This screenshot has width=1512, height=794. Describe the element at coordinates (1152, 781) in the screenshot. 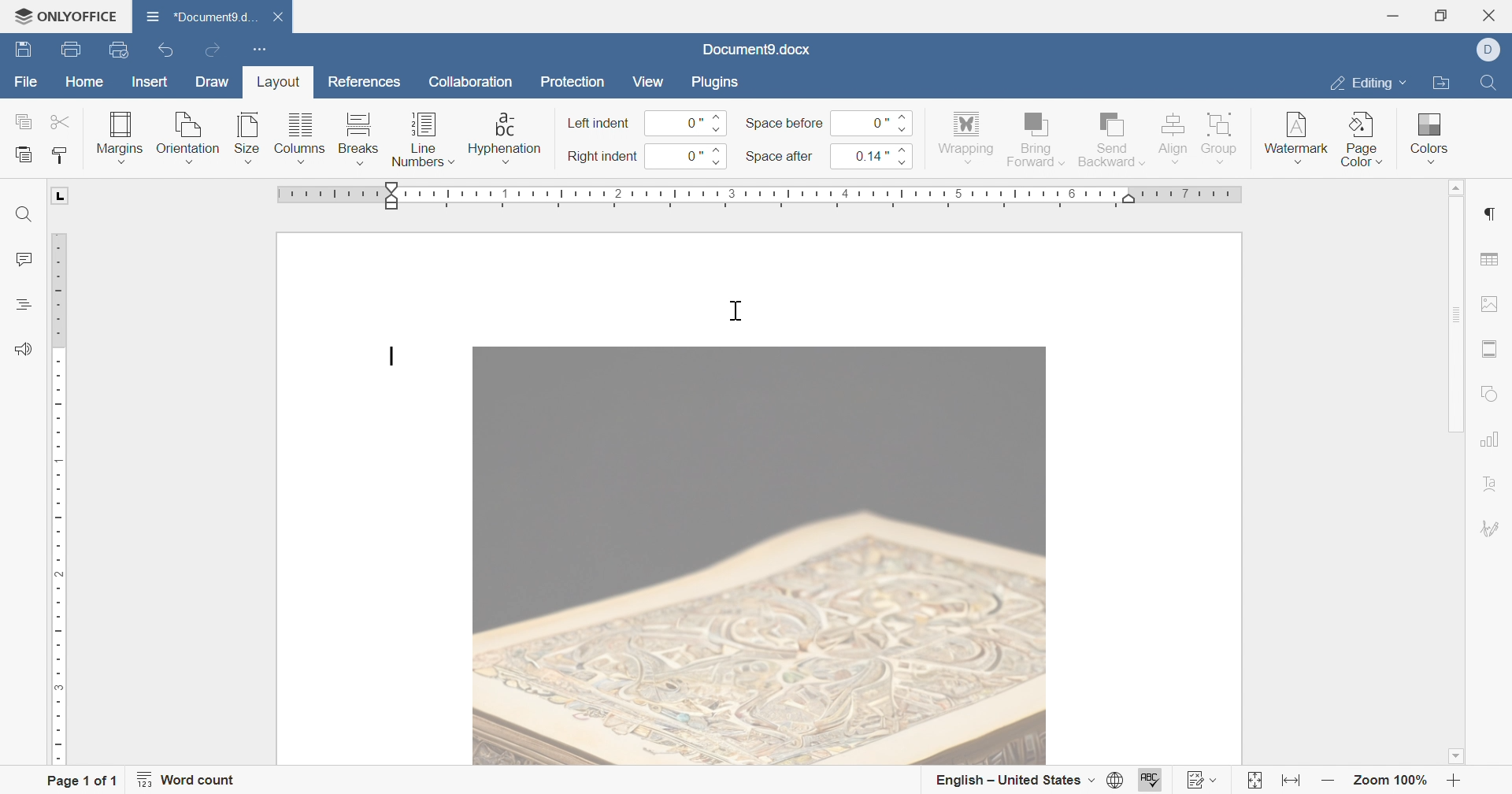

I see `spell checking` at that location.